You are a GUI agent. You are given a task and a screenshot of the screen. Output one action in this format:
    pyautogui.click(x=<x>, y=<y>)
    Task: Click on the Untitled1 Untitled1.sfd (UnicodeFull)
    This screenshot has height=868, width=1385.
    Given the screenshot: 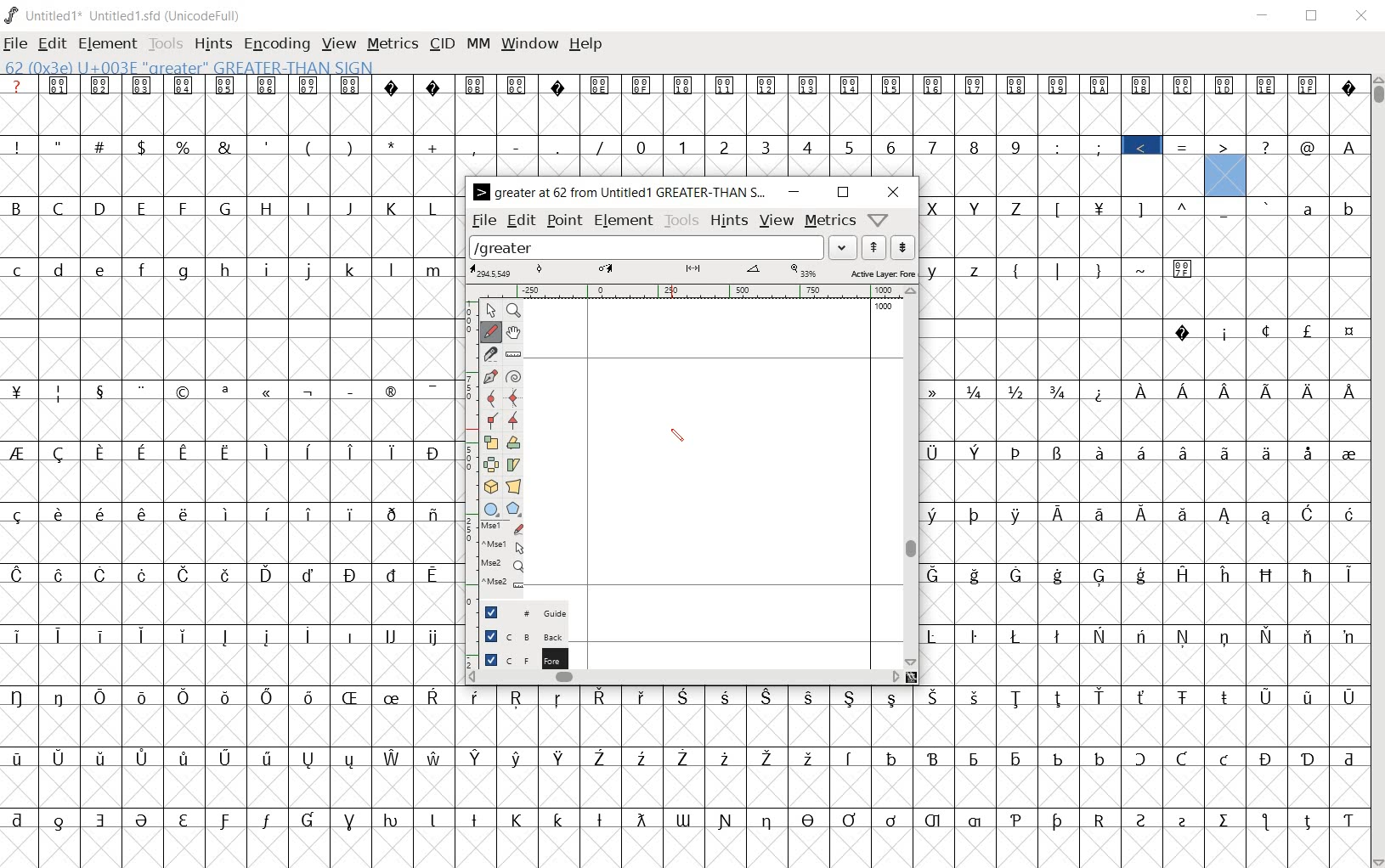 What is the action you would take?
    pyautogui.click(x=123, y=13)
    